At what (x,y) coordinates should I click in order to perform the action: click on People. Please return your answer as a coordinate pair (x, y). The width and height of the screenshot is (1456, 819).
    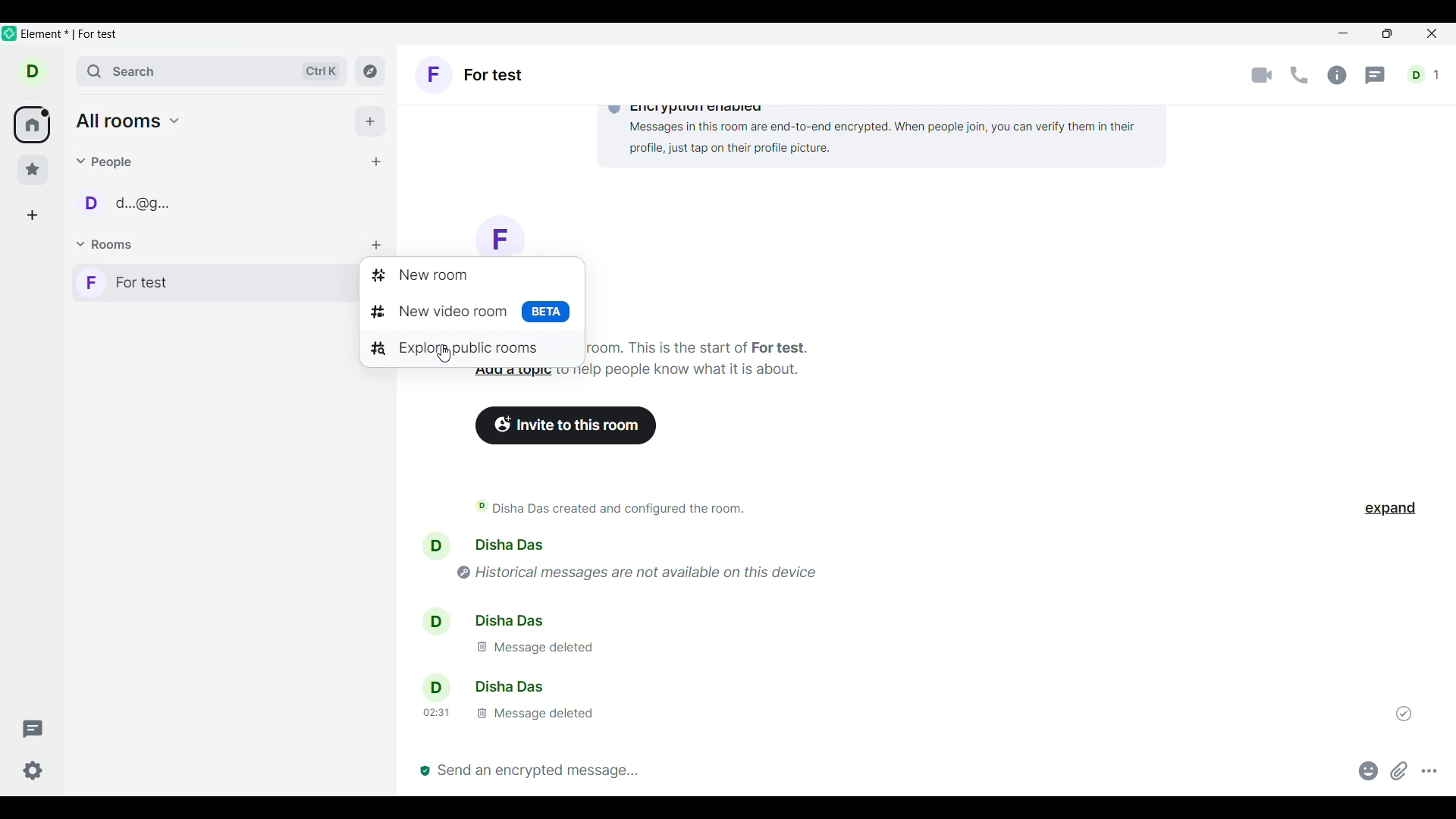
    Looking at the image, I should click on (105, 162).